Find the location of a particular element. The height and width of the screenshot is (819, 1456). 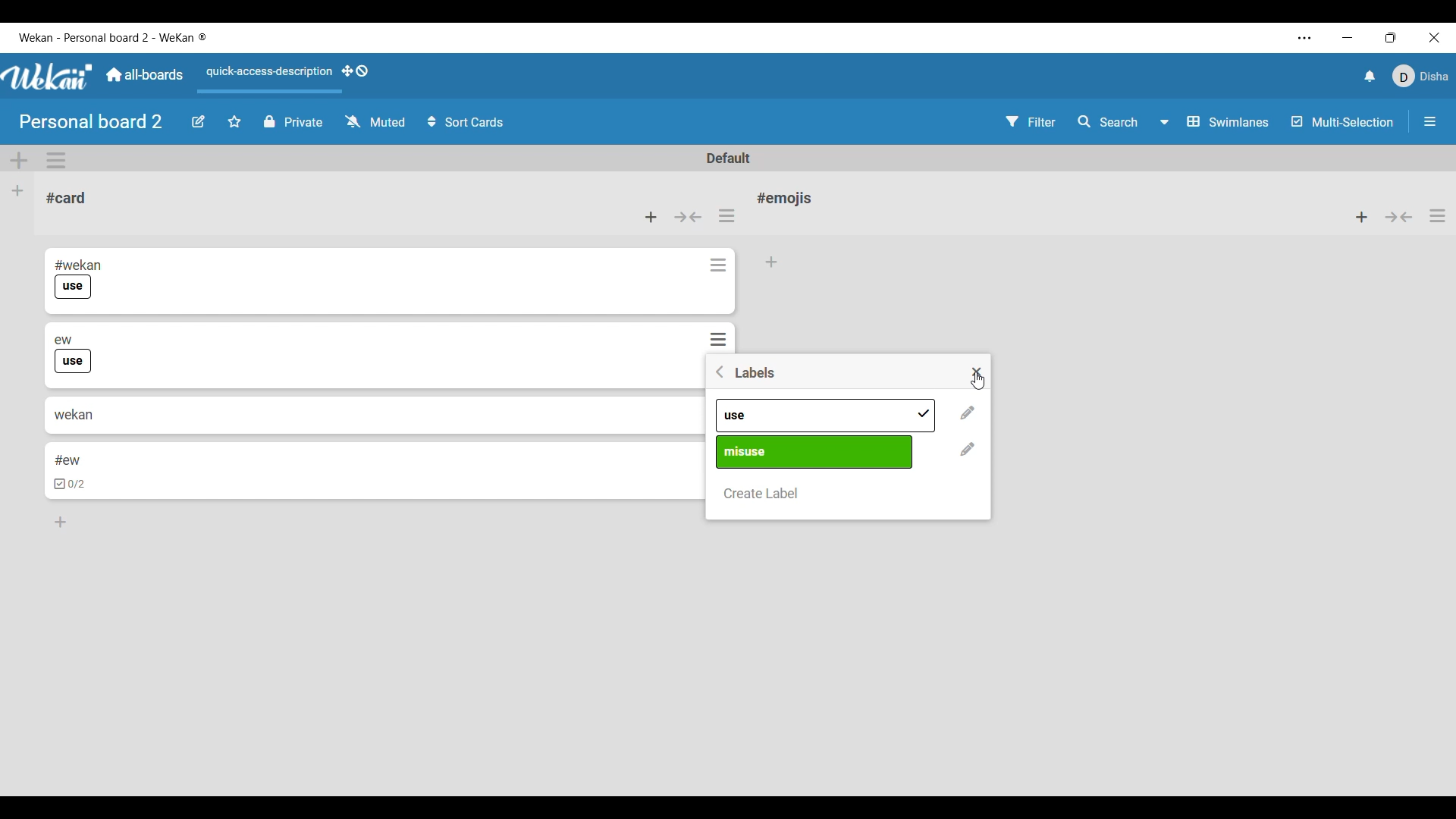

Search is located at coordinates (1106, 121).